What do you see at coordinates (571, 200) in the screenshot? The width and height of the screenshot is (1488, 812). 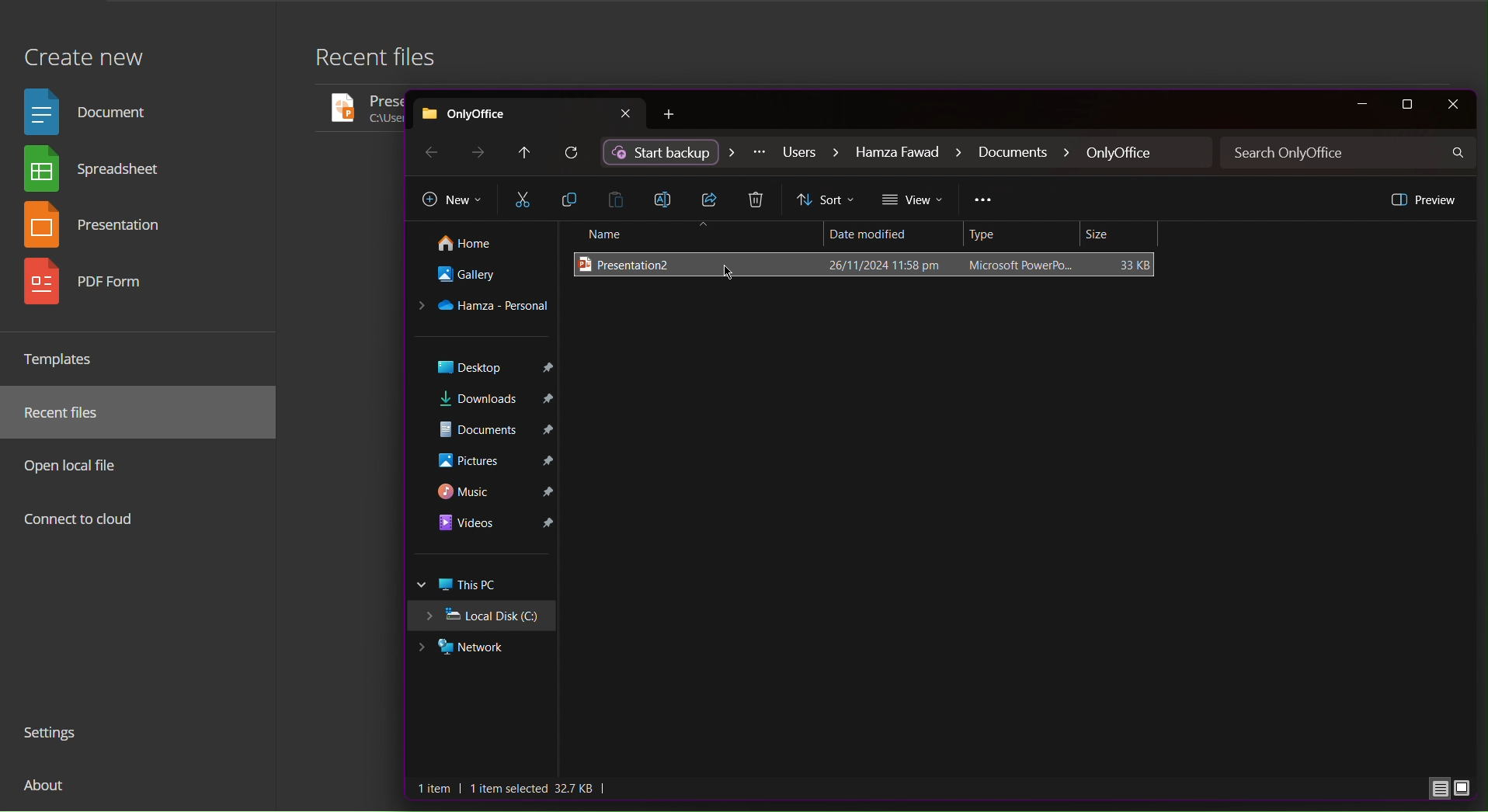 I see `Copy` at bounding box center [571, 200].